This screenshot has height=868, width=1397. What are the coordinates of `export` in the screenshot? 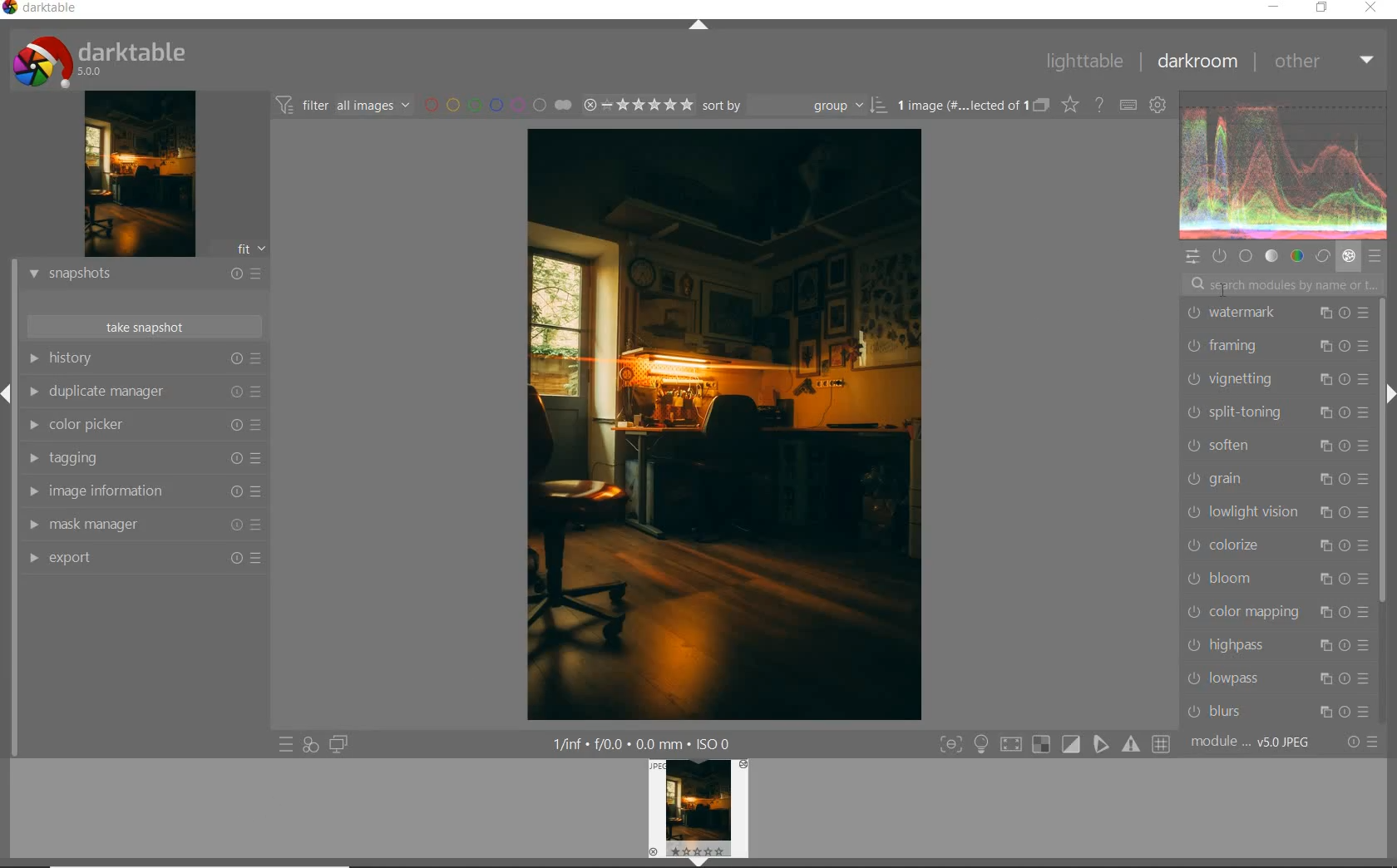 It's located at (142, 560).